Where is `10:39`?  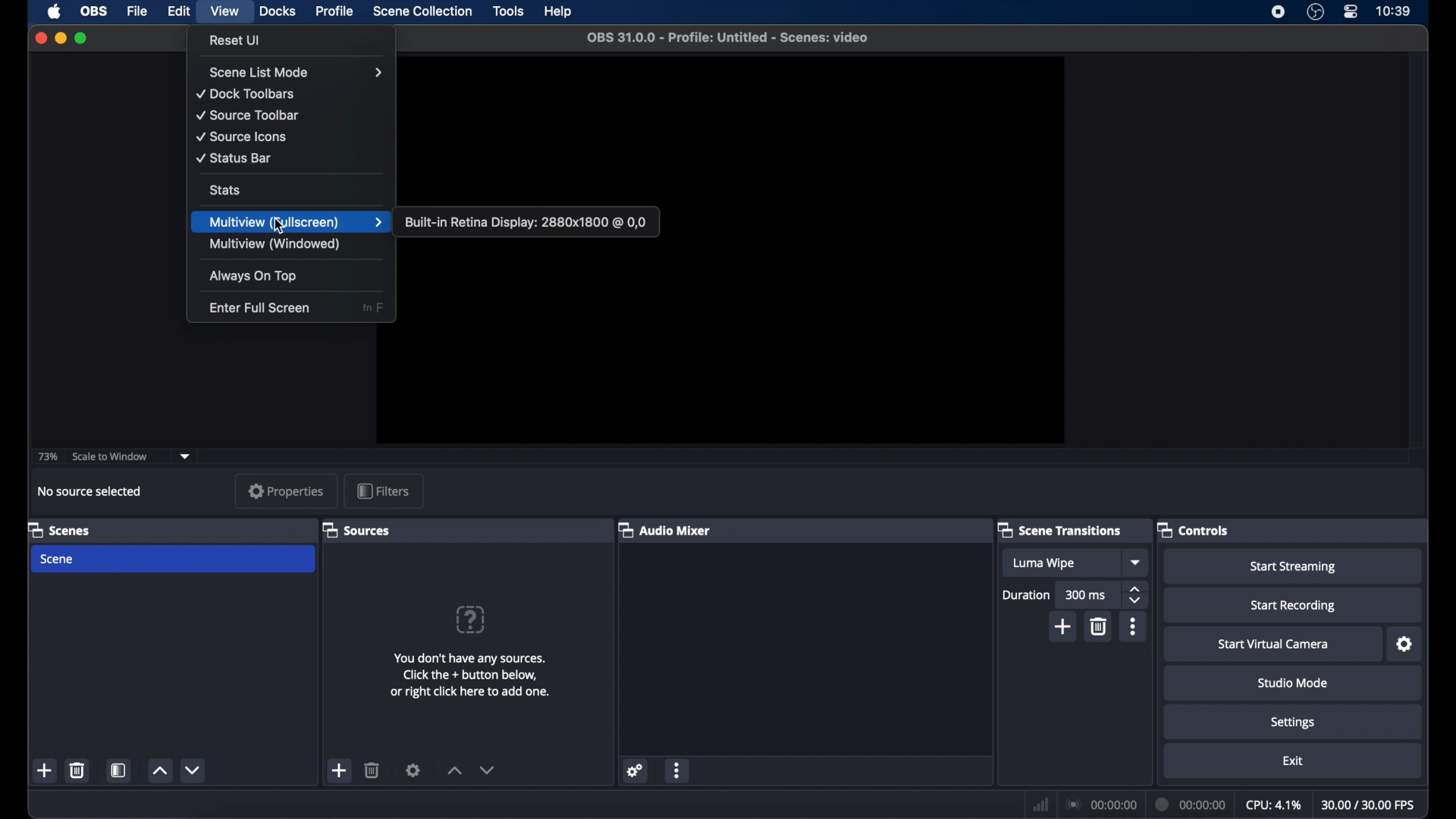
10:39 is located at coordinates (1395, 11).